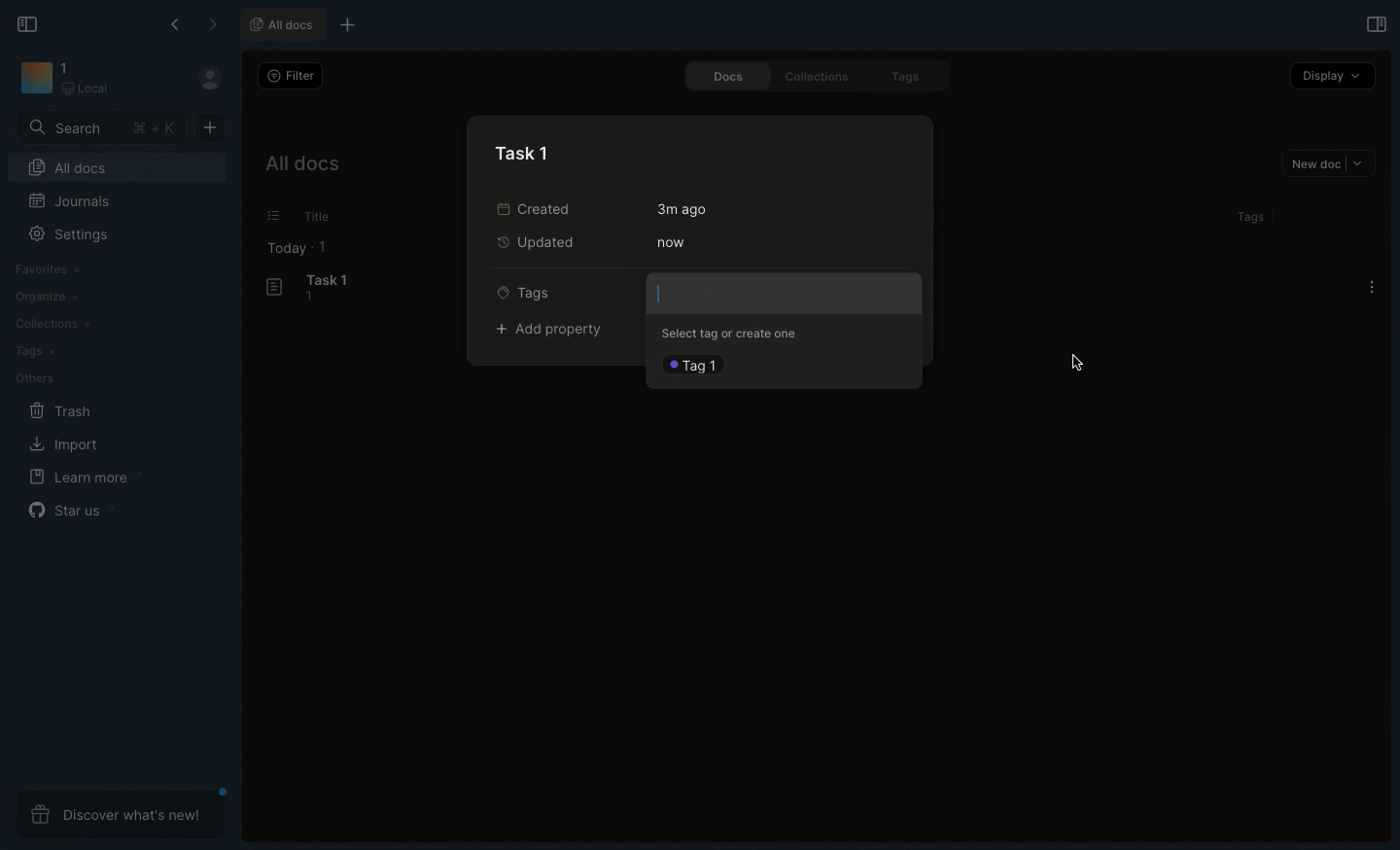  What do you see at coordinates (66, 445) in the screenshot?
I see `Import` at bounding box center [66, 445].